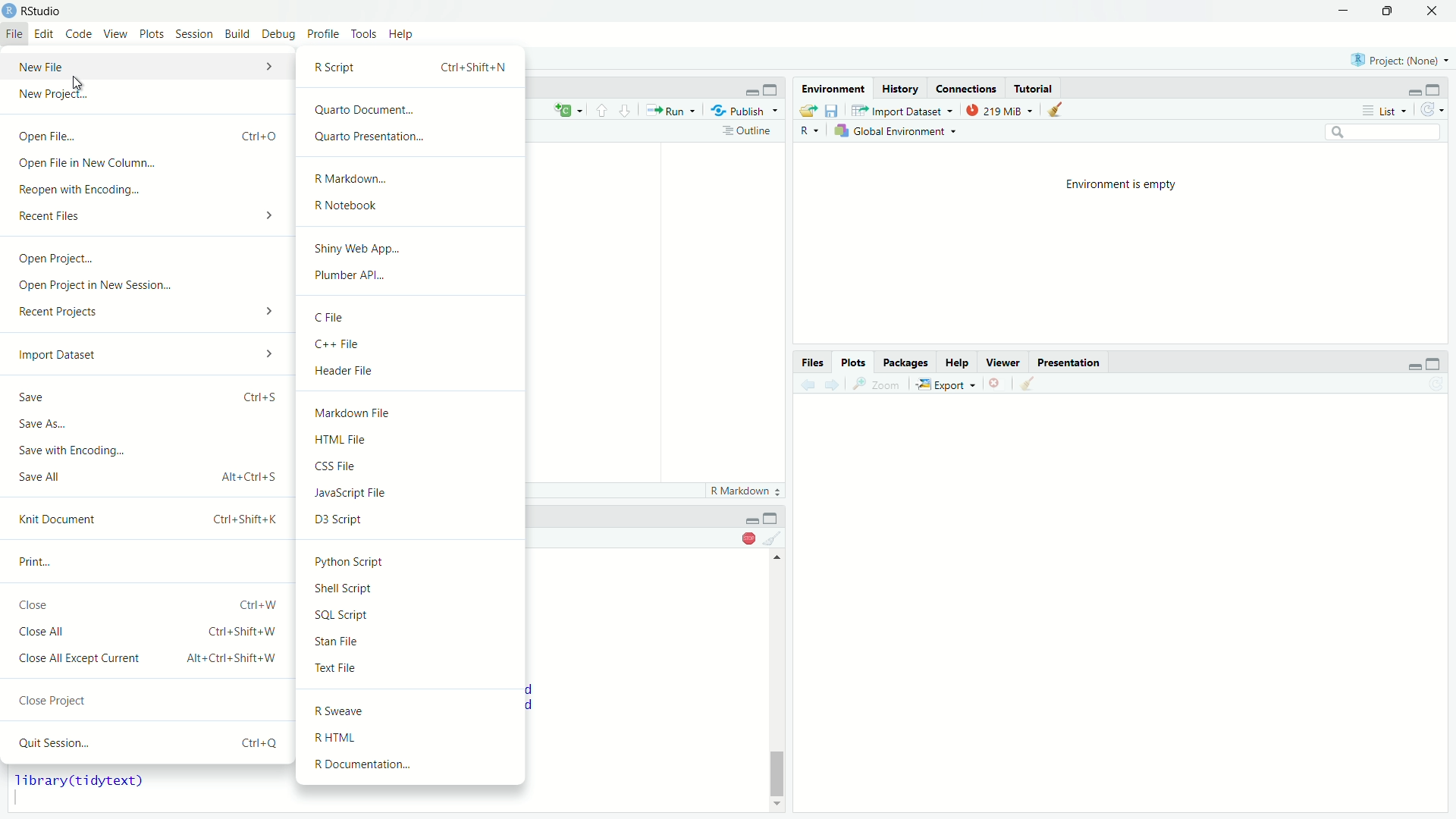  What do you see at coordinates (774, 537) in the screenshot?
I see `clear console` at bounding box center [774, 537].